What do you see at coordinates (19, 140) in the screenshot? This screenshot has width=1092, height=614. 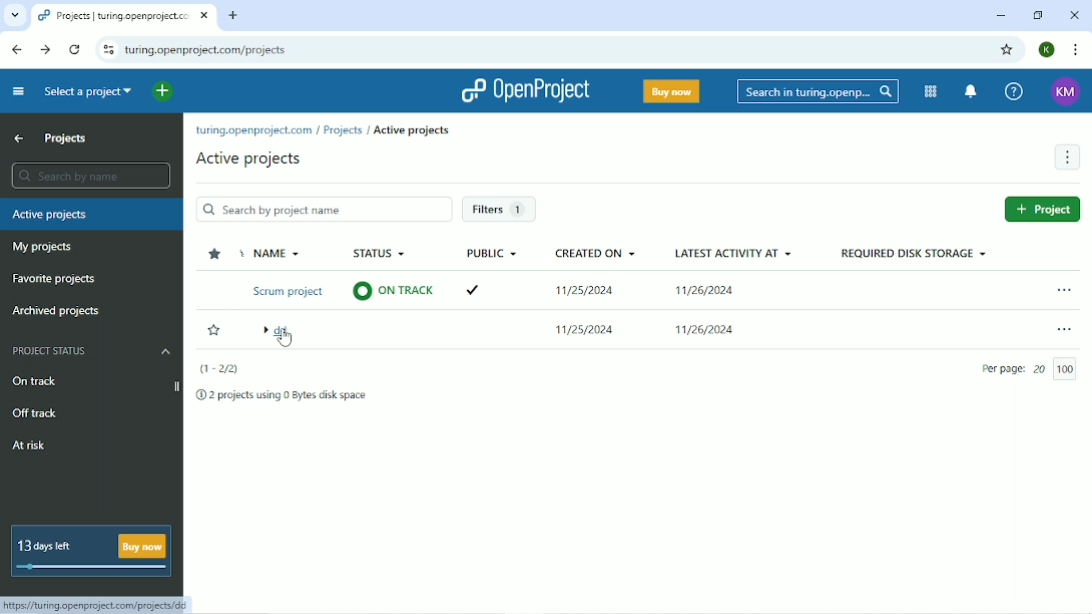 I see `Up` at bounding box center [19, 140].